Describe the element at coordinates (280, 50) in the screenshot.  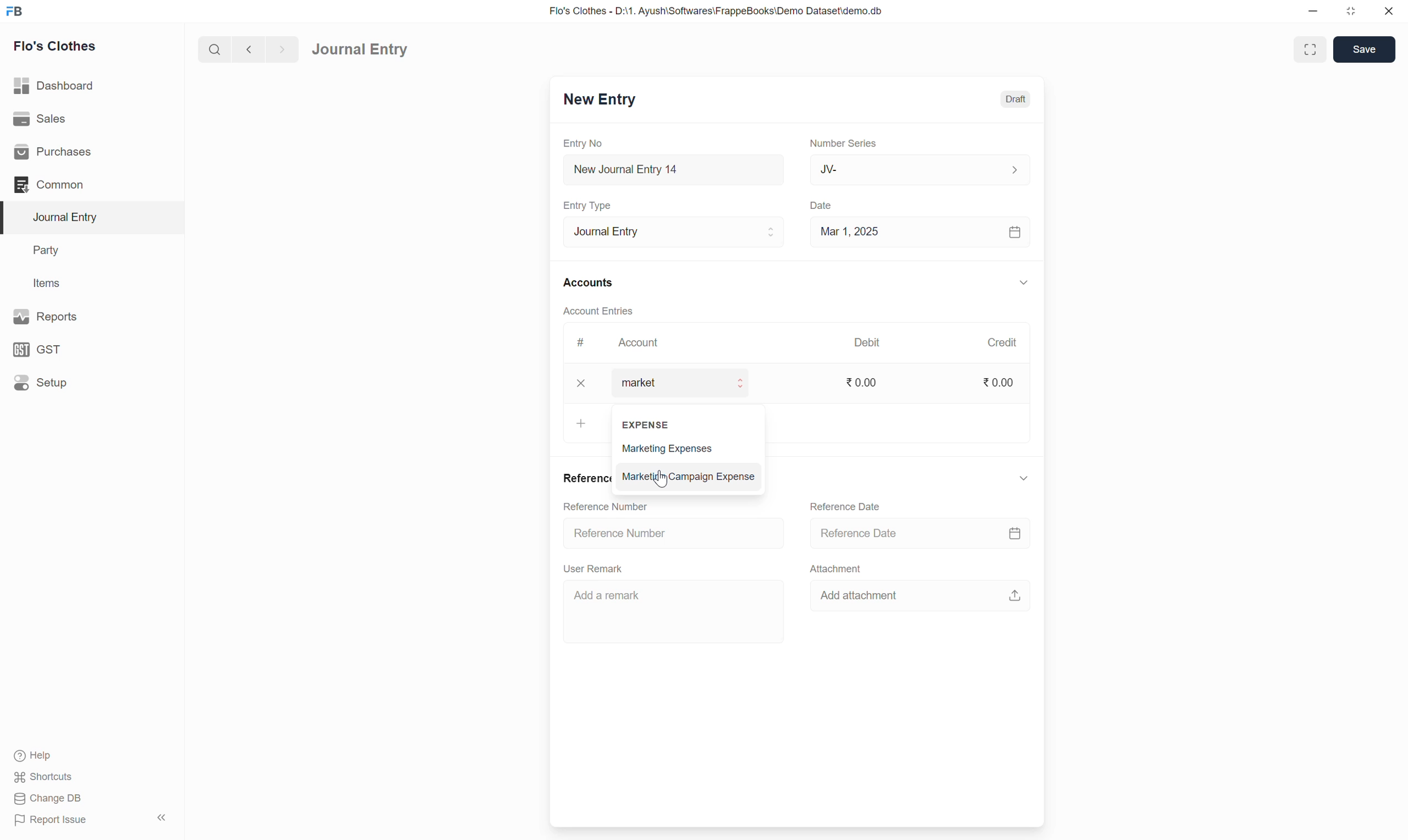
I see `forward` at that location.